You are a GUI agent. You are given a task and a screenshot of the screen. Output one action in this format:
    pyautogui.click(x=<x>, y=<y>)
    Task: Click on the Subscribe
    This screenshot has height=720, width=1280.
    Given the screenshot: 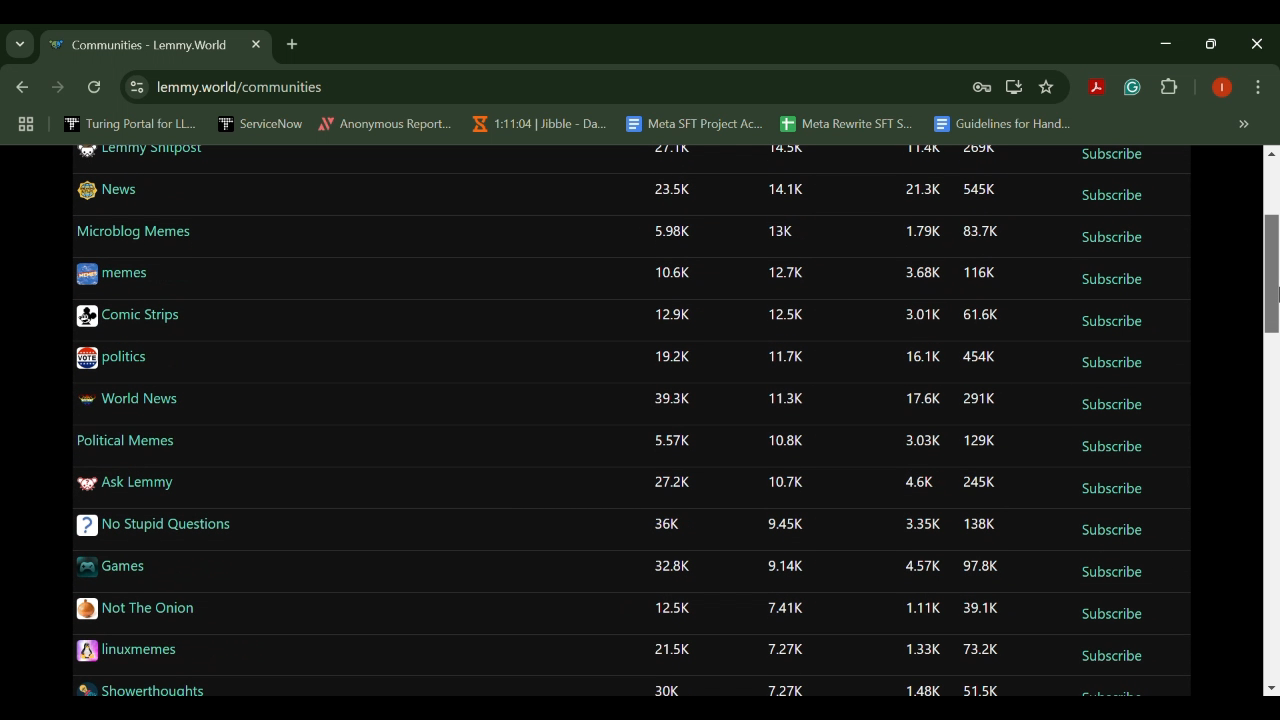 What is the action you would take?
    pyautogui.click(x=1112, y=694)
    